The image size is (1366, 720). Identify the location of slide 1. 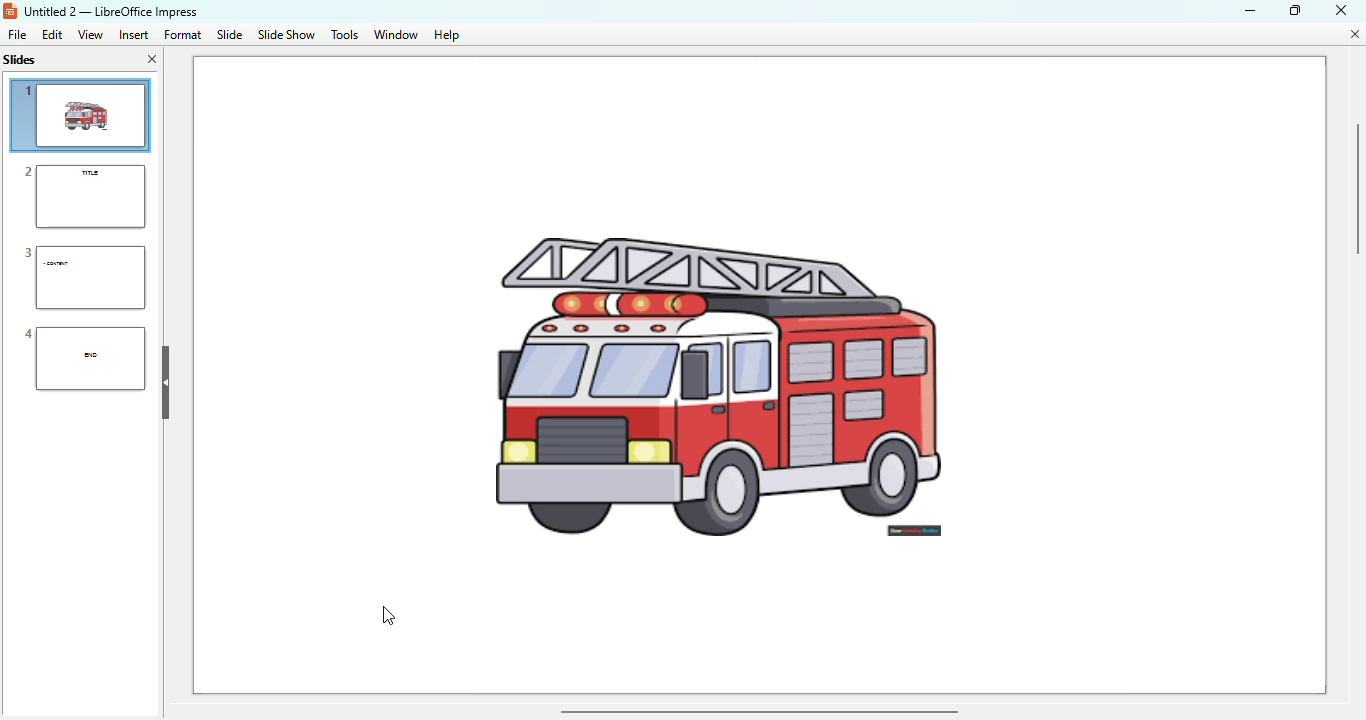
(81, 115).